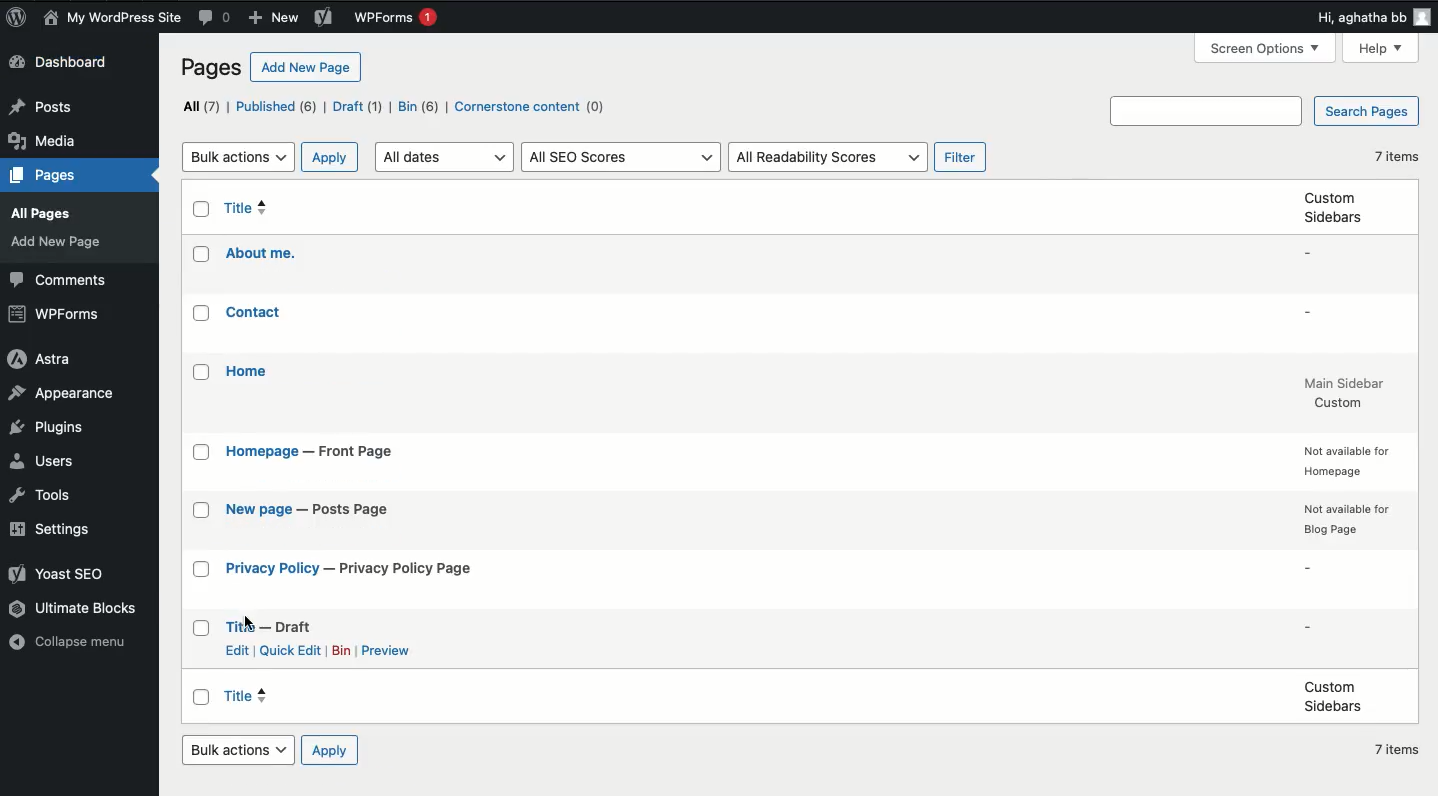 This screenshot has height=796, width=1438. I want to click on Apply, so click(327, 752).